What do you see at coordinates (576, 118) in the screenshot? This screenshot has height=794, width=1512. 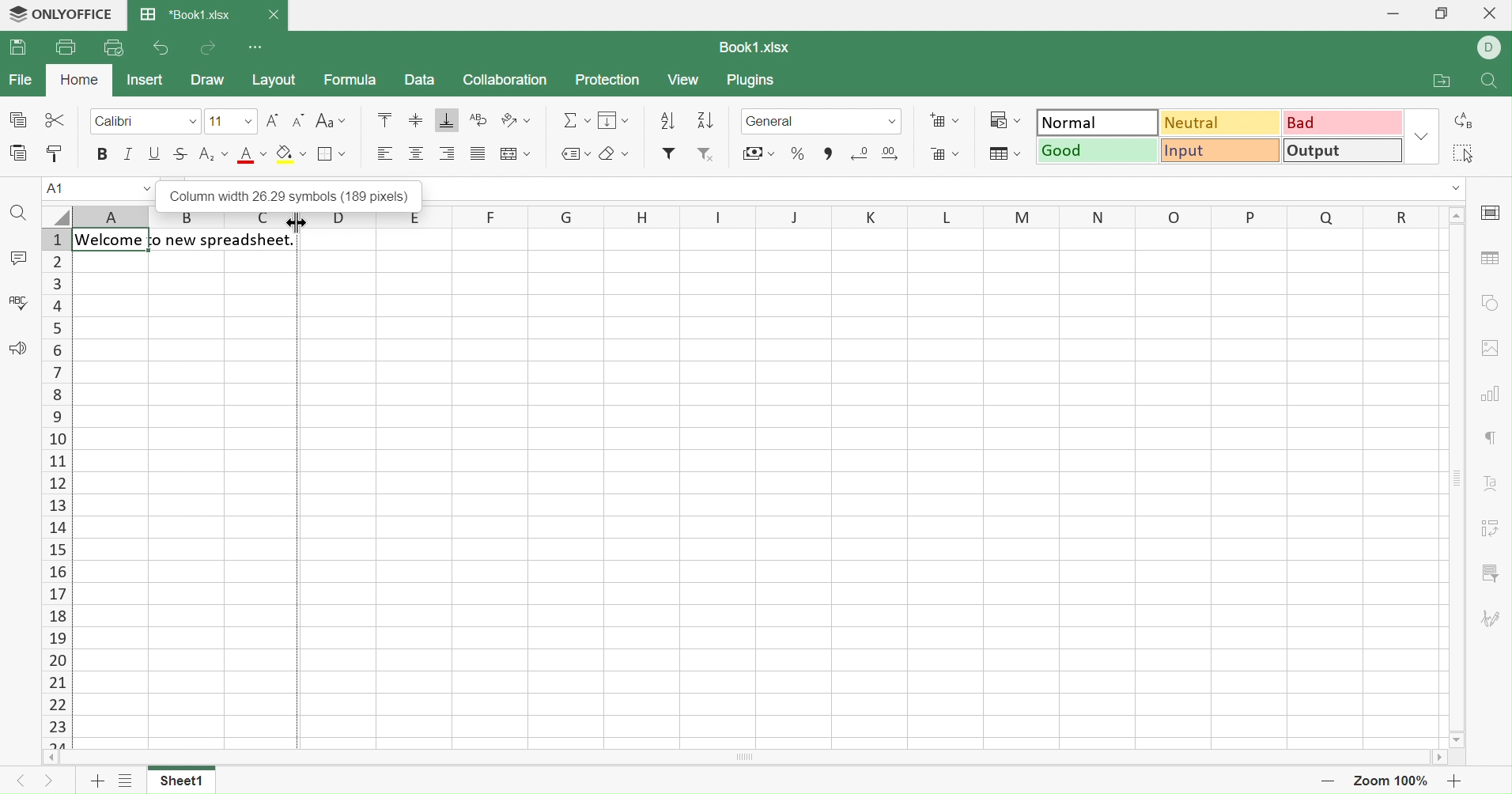 I see `Summation` at bounding box center [576, 118].